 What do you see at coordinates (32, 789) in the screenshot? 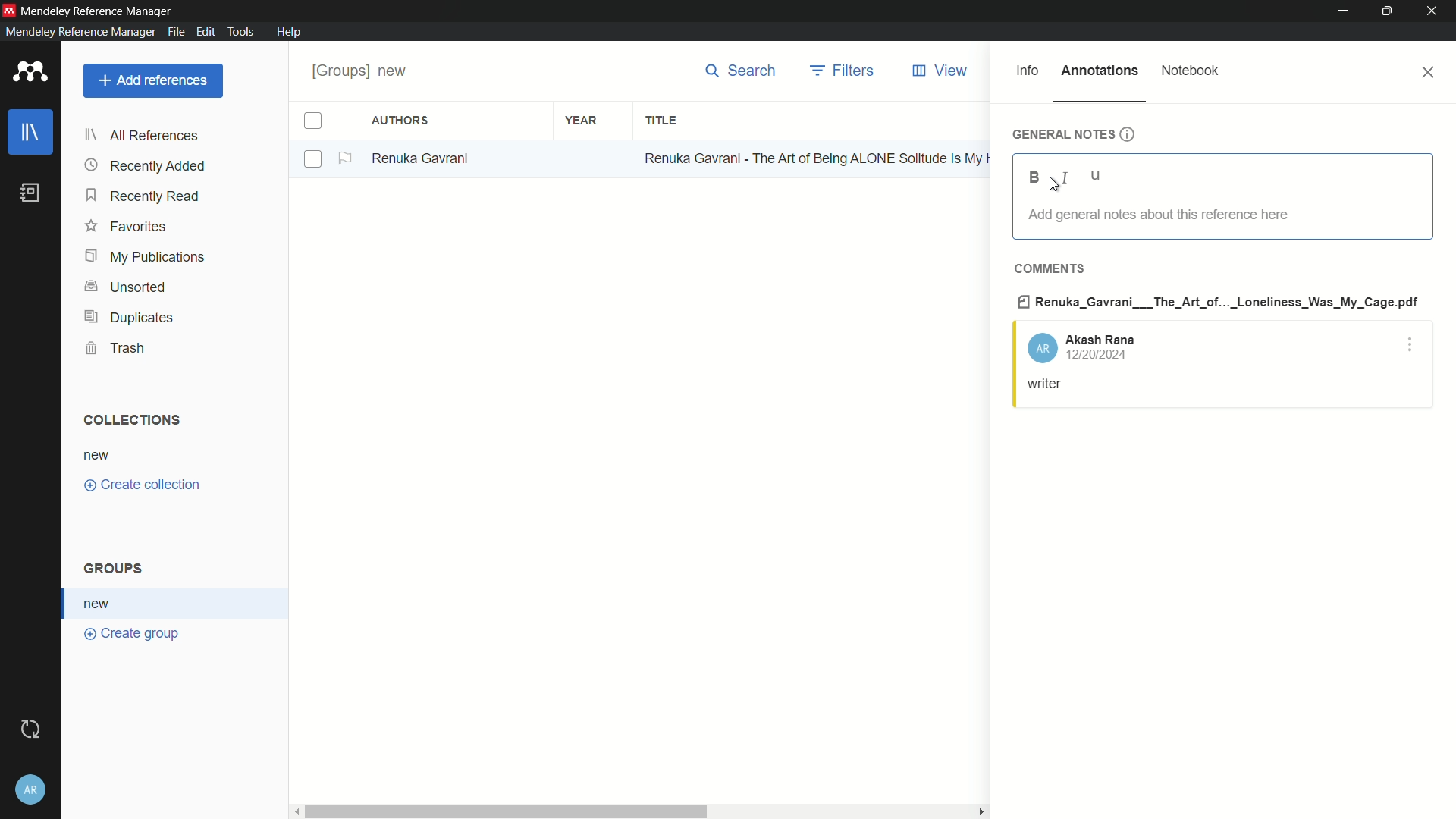
I see `account and help` at bounding box center [32, 789].